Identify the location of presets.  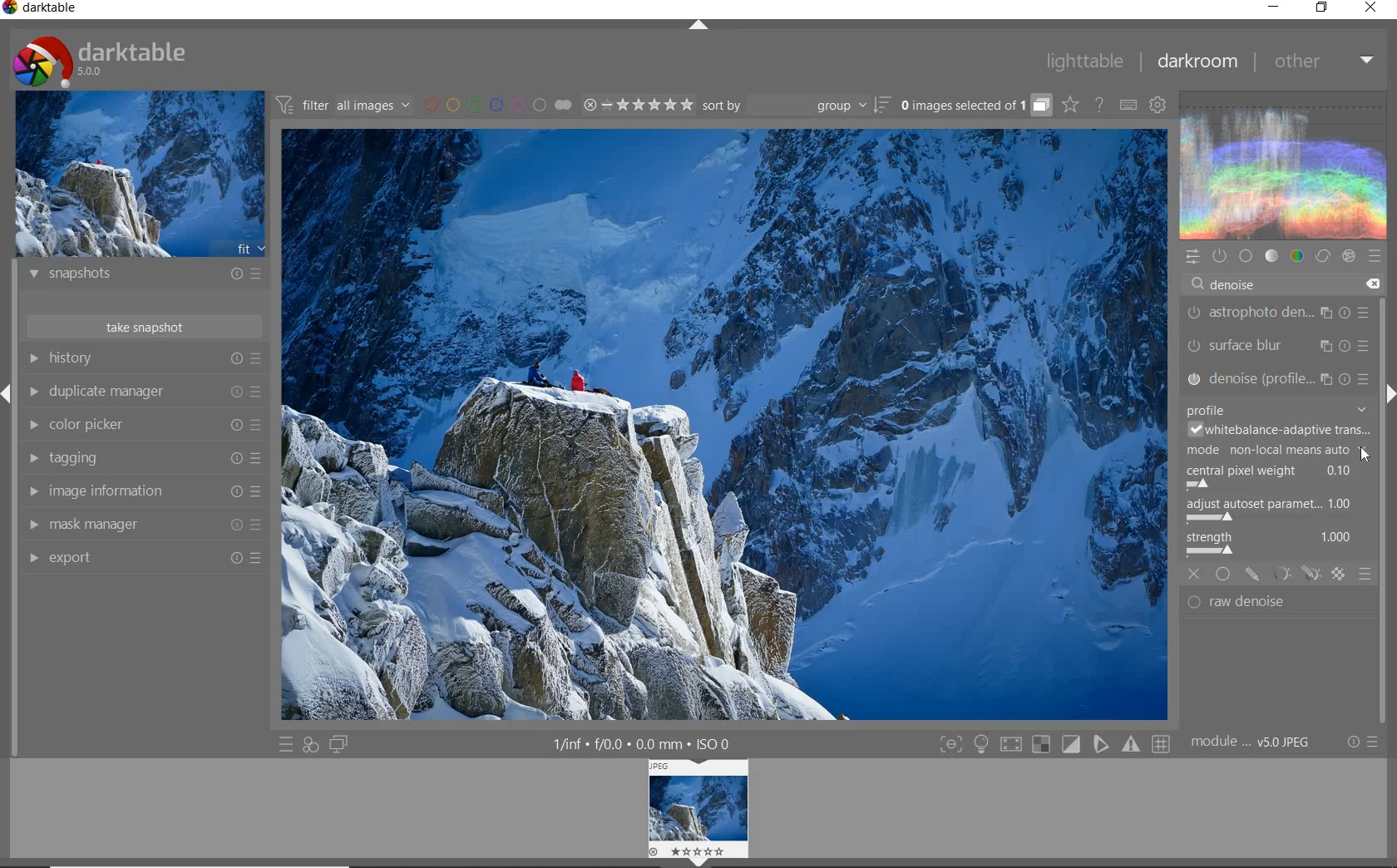
(1375, 253).